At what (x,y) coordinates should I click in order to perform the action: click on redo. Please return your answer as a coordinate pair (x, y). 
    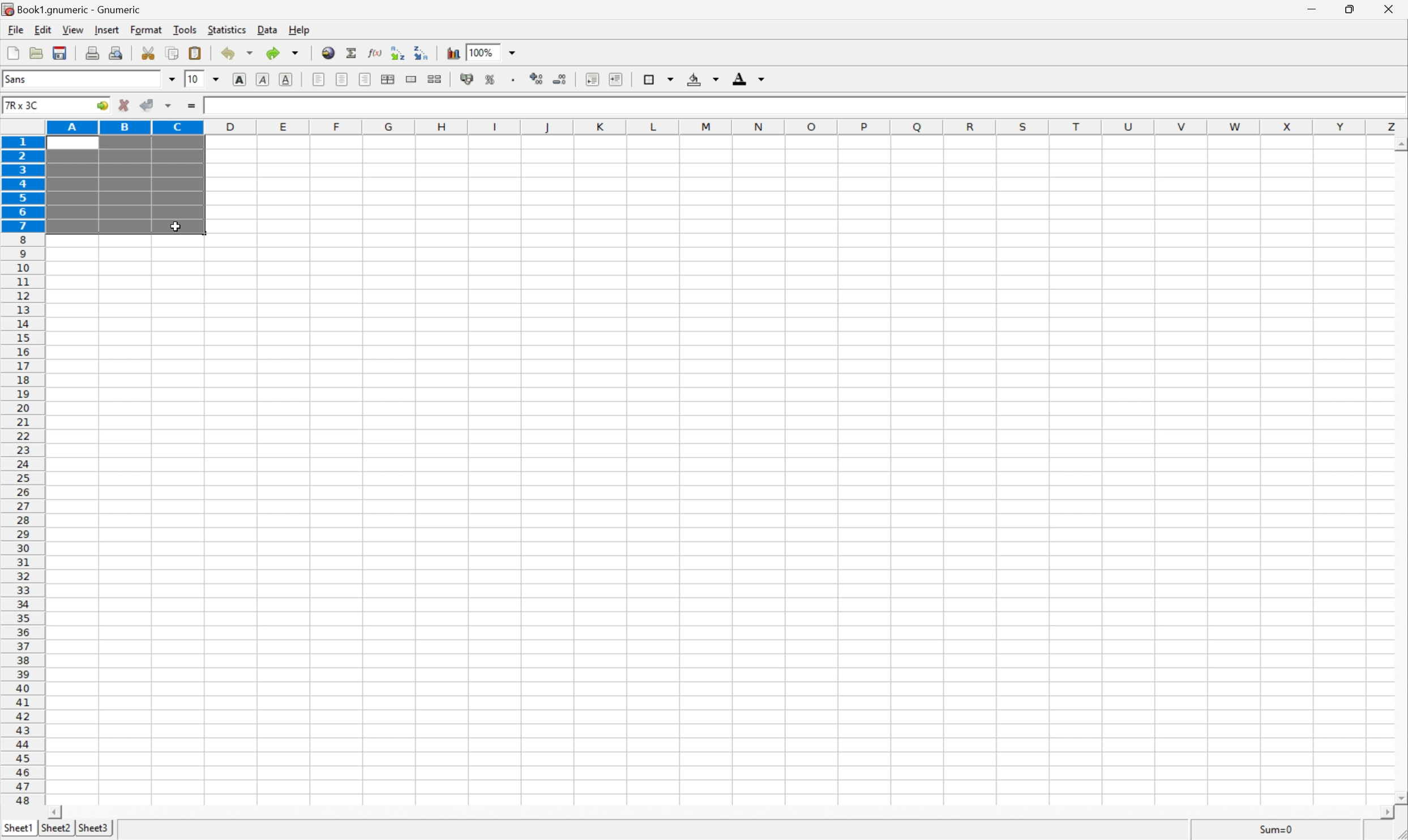
    Looking at the image, I should click on (284, 53).